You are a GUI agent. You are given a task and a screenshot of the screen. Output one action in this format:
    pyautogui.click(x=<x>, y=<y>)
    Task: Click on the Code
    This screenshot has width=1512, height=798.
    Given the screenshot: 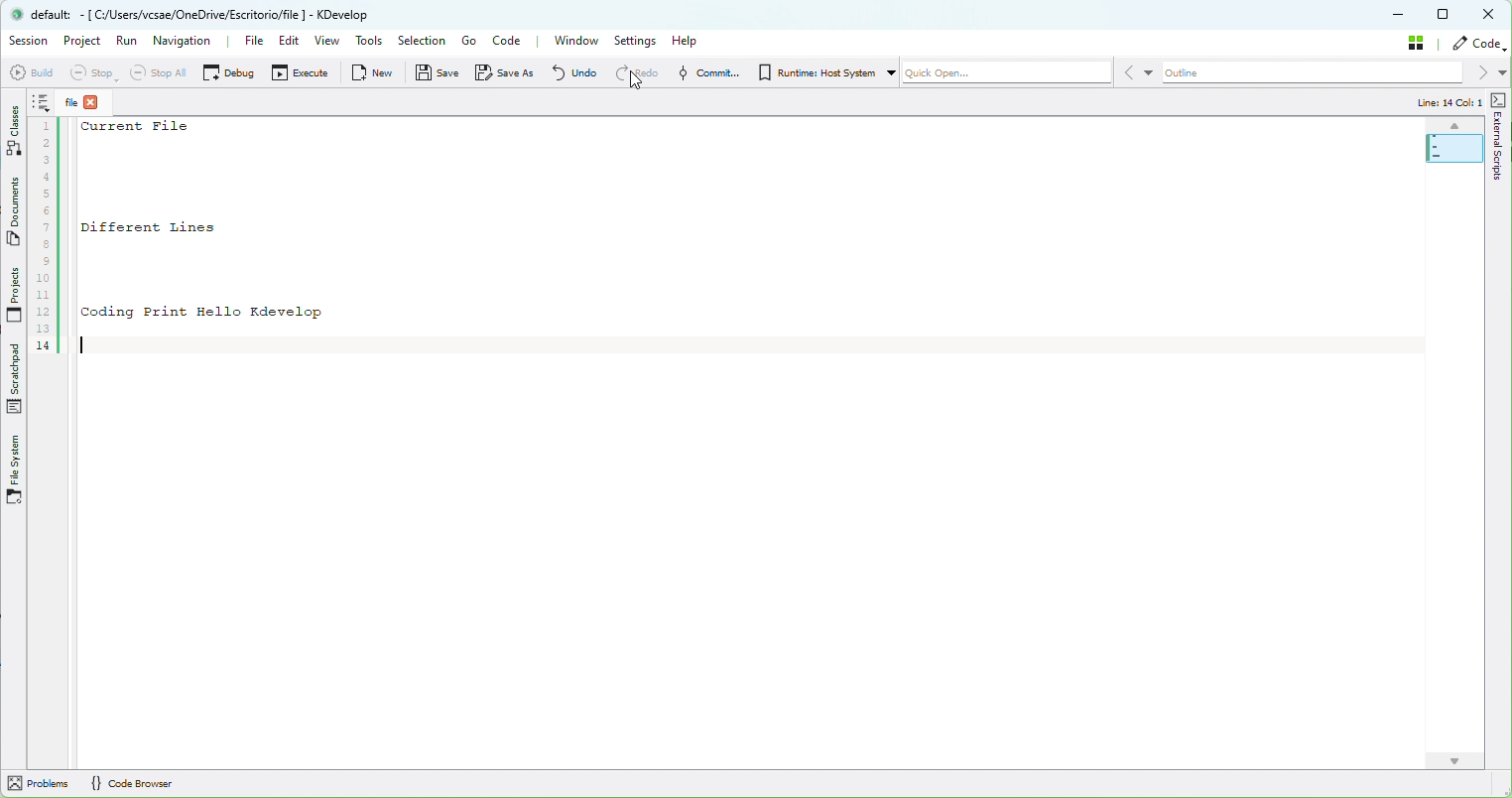 What is the action you would take?
    pyautogui.click(x=1474, y=45)
    